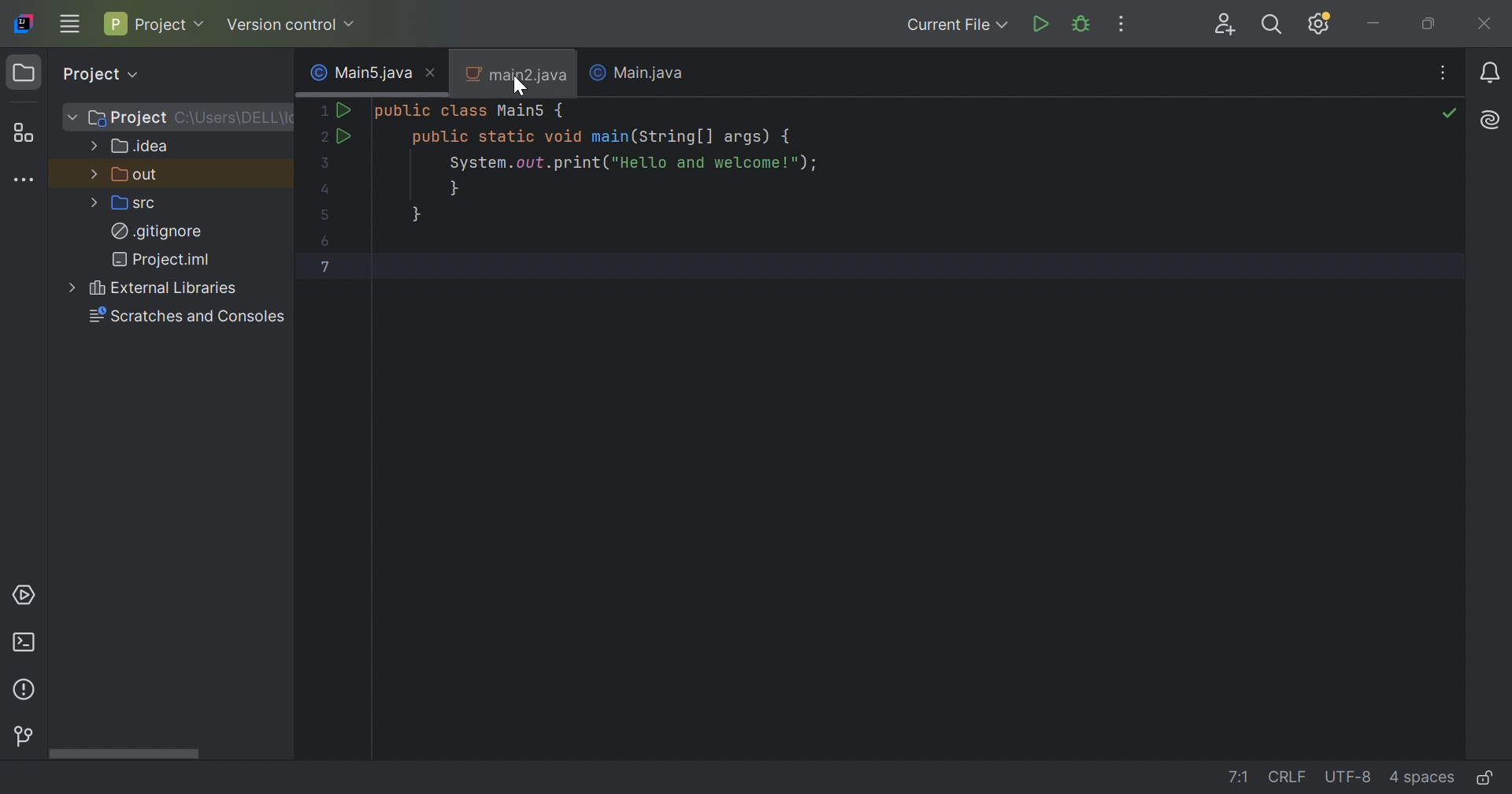 The width and height of the screenshot is (1512, 794). What do you see at coordinates (346, 136) in the screenshot?
I see `Run` at bounding box center [346, 136].